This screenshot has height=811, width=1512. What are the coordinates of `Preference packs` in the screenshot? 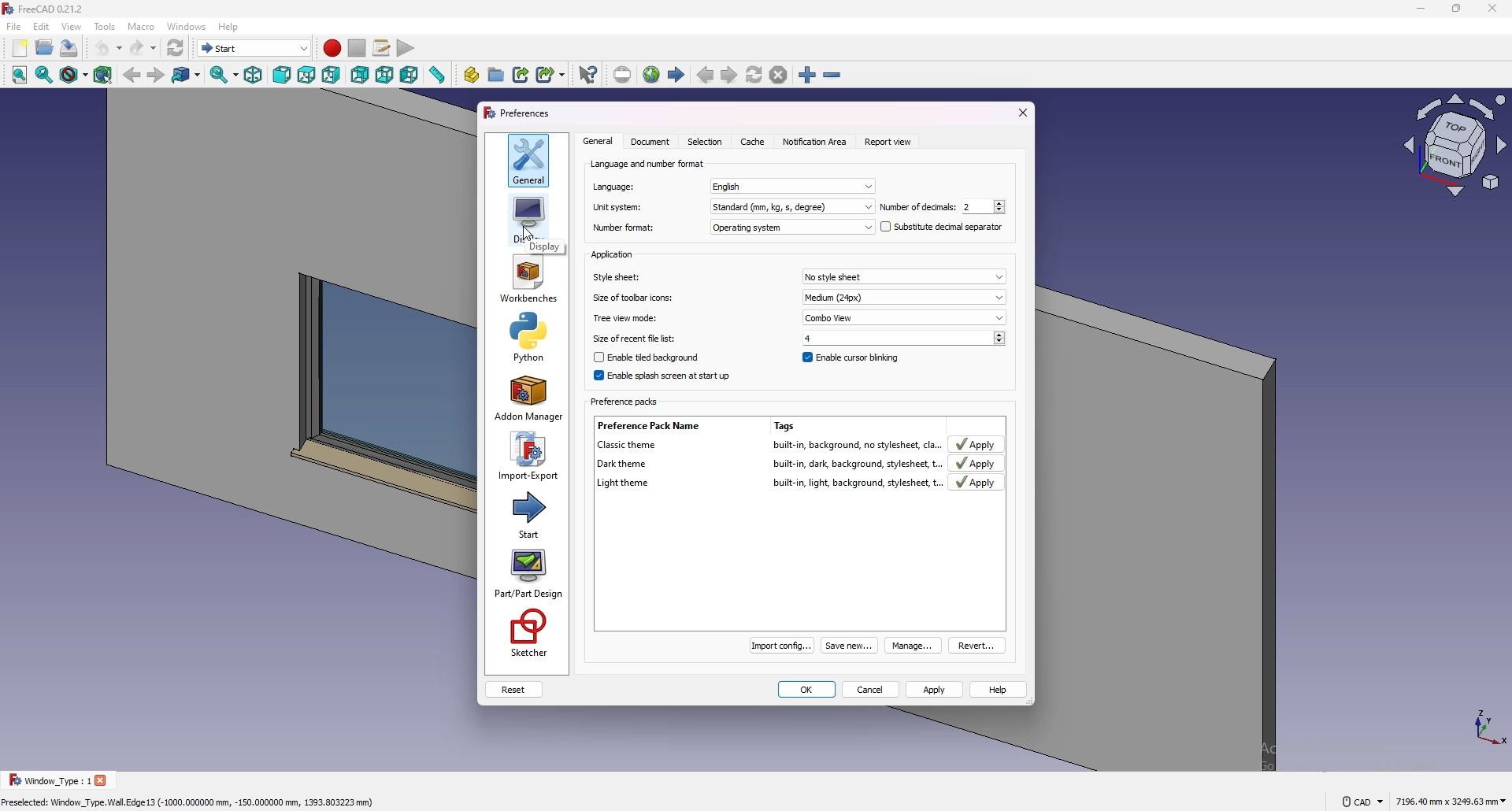 It's located at (624, 402).